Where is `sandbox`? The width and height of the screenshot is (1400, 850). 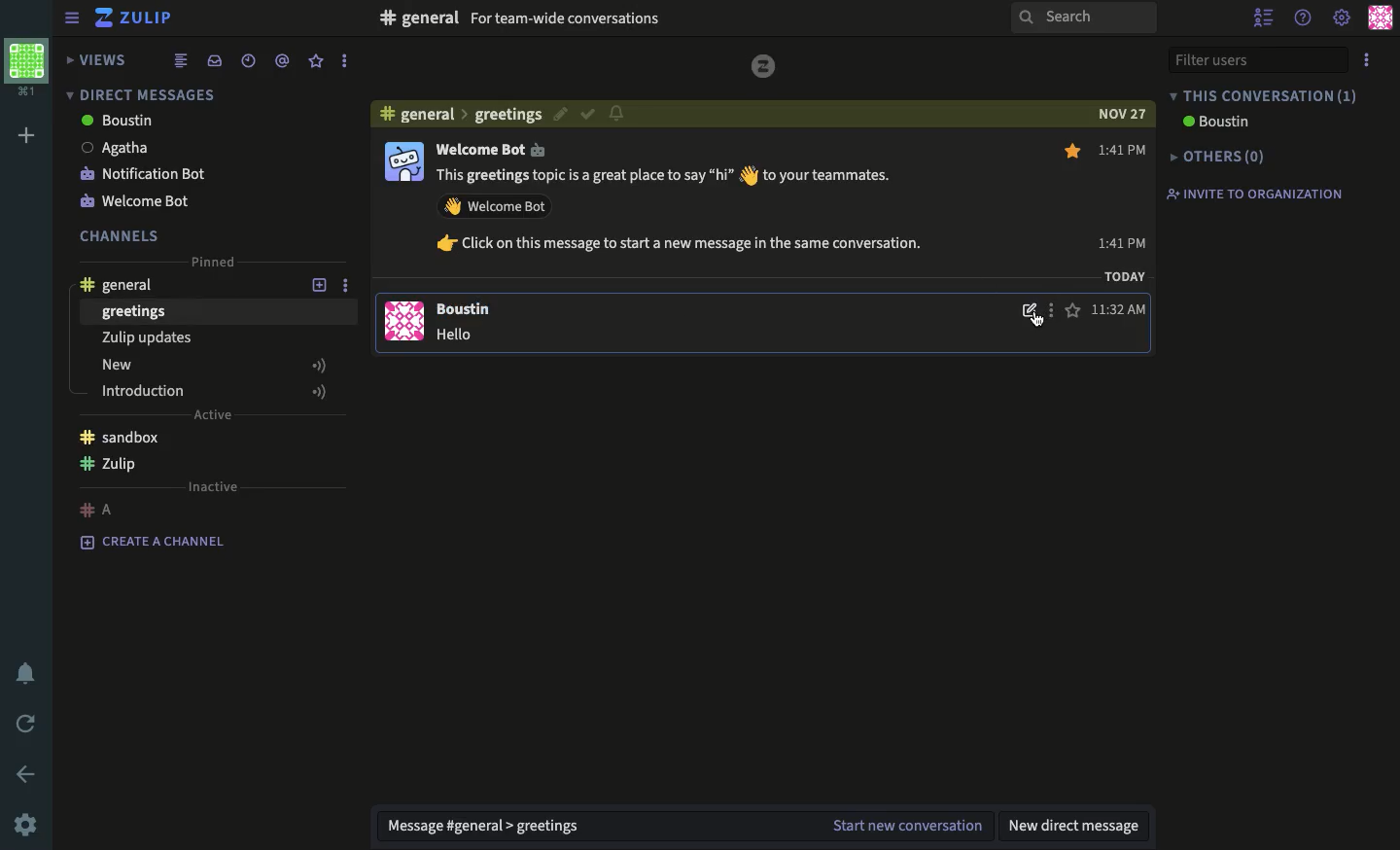 sandbox is located at coordinates (120, 437).